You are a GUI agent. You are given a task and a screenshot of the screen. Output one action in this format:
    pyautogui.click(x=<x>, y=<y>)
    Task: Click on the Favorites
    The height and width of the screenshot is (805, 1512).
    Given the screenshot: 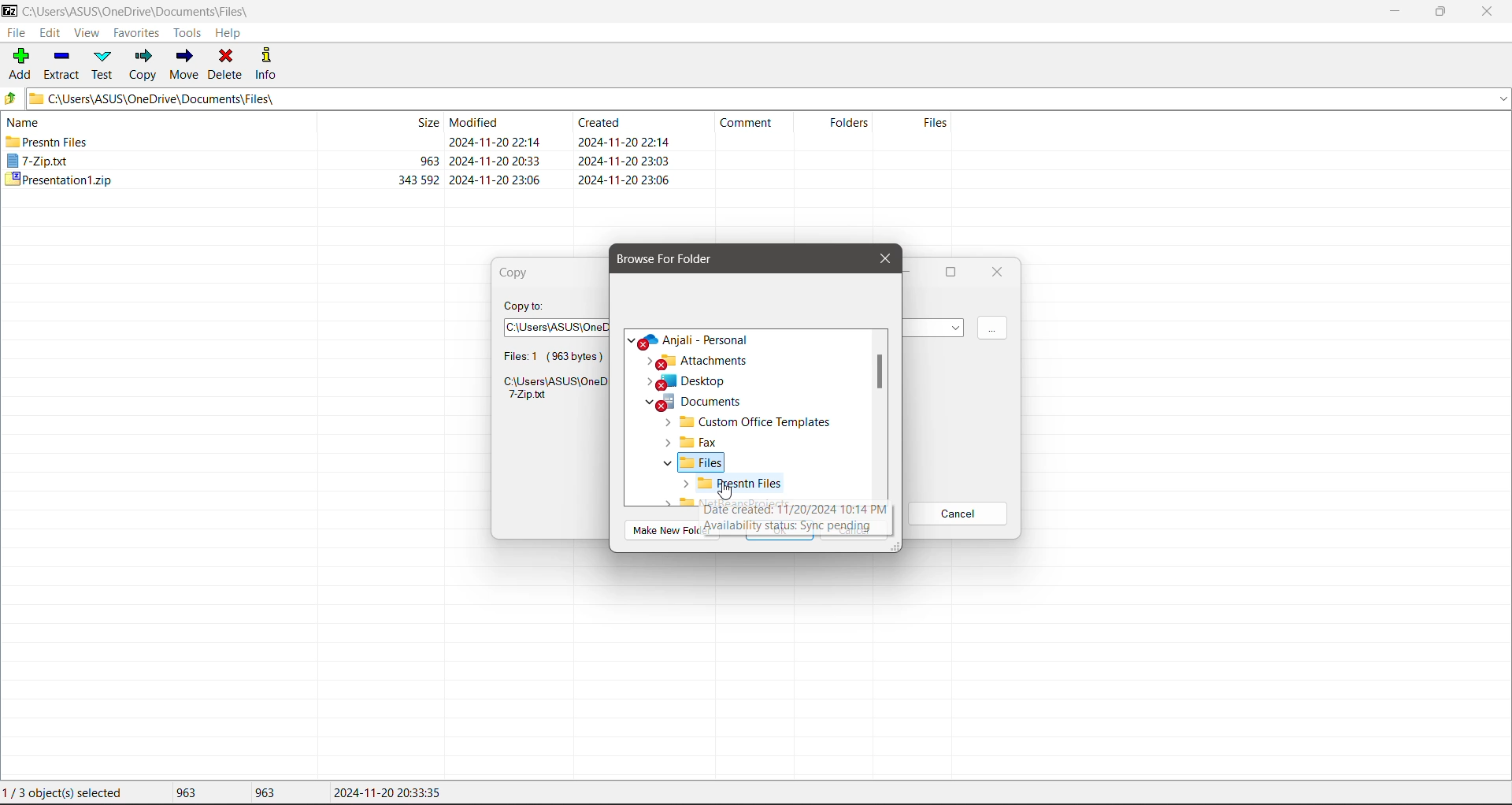 What is the action you would take?
    pyautogui.click(x=135, y=32)
    